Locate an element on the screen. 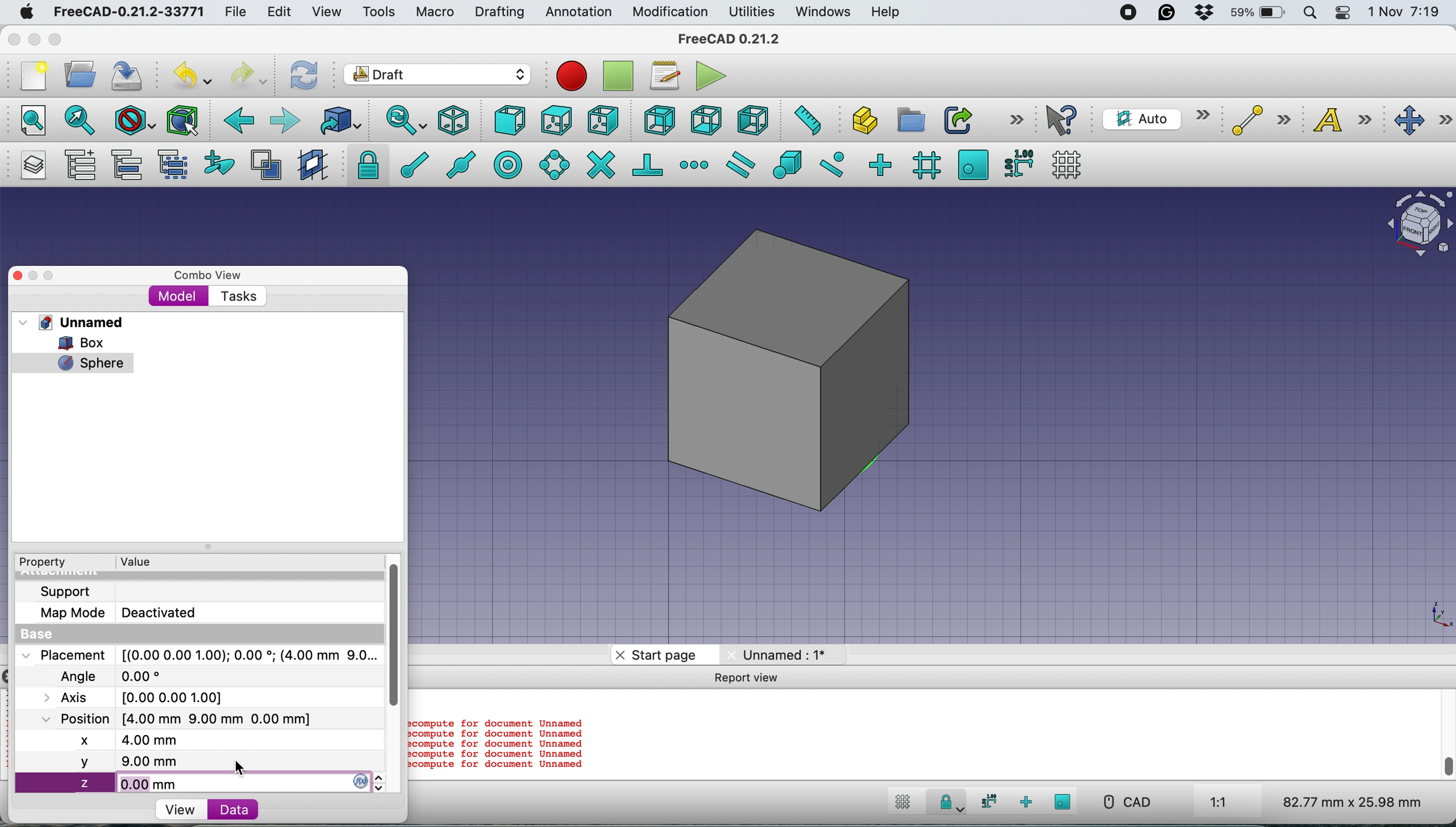 The image size is (1456, 827). top is located at coordinates (556, 119).